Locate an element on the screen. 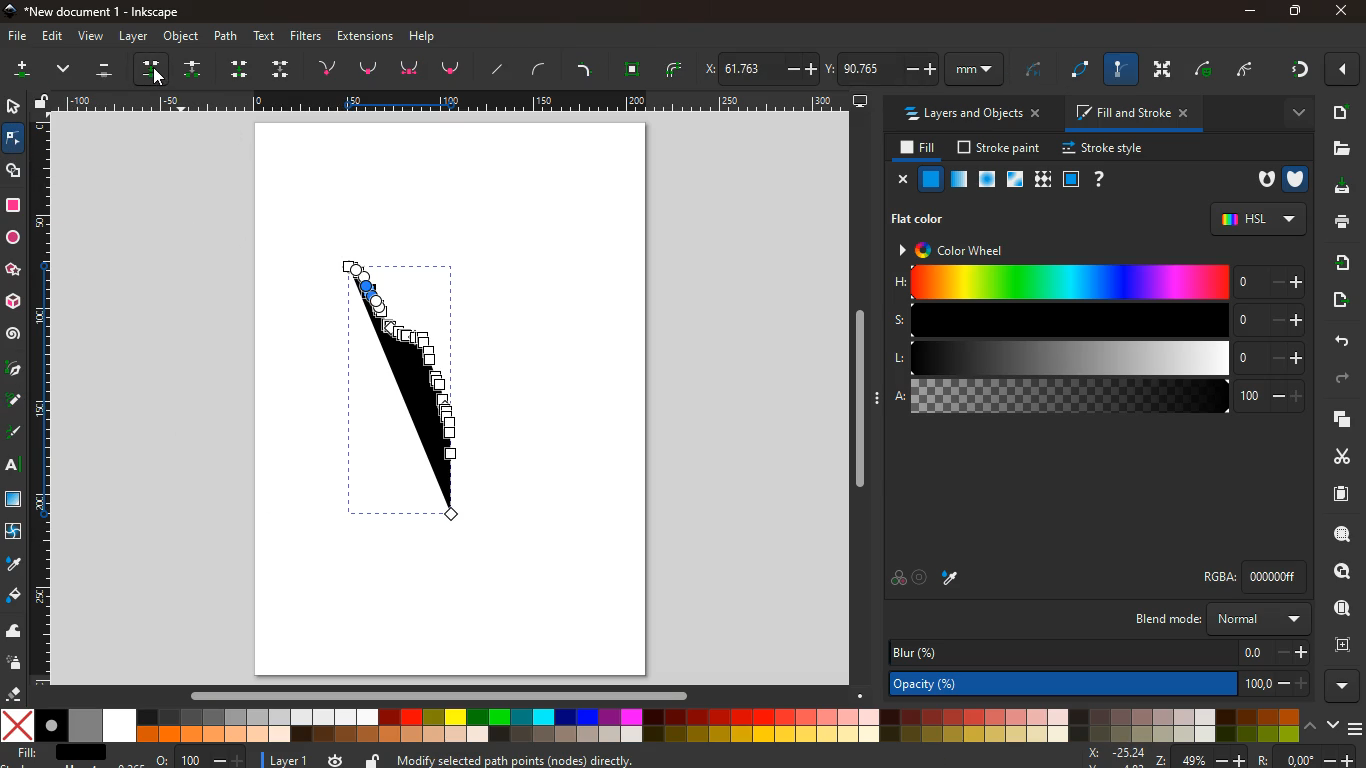  rope is located at coordinates (1034, 72).